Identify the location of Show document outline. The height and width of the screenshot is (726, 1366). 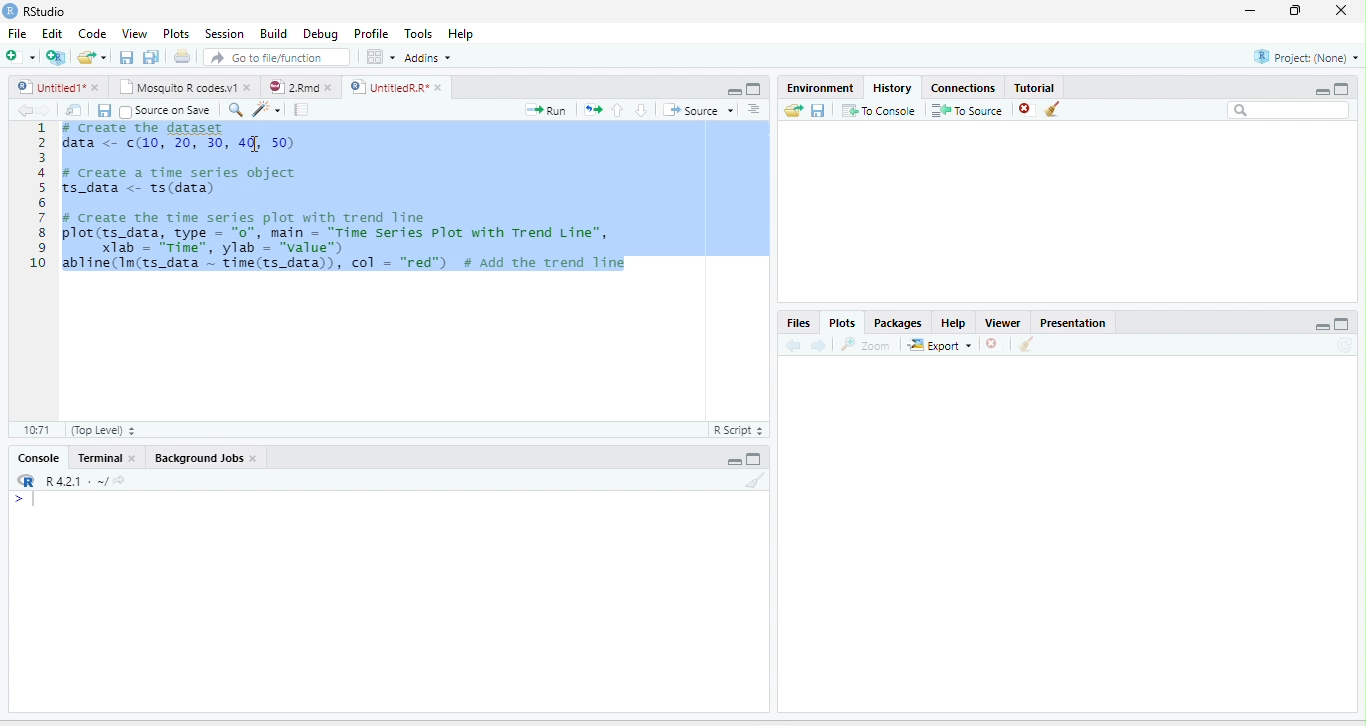
(754, 109).